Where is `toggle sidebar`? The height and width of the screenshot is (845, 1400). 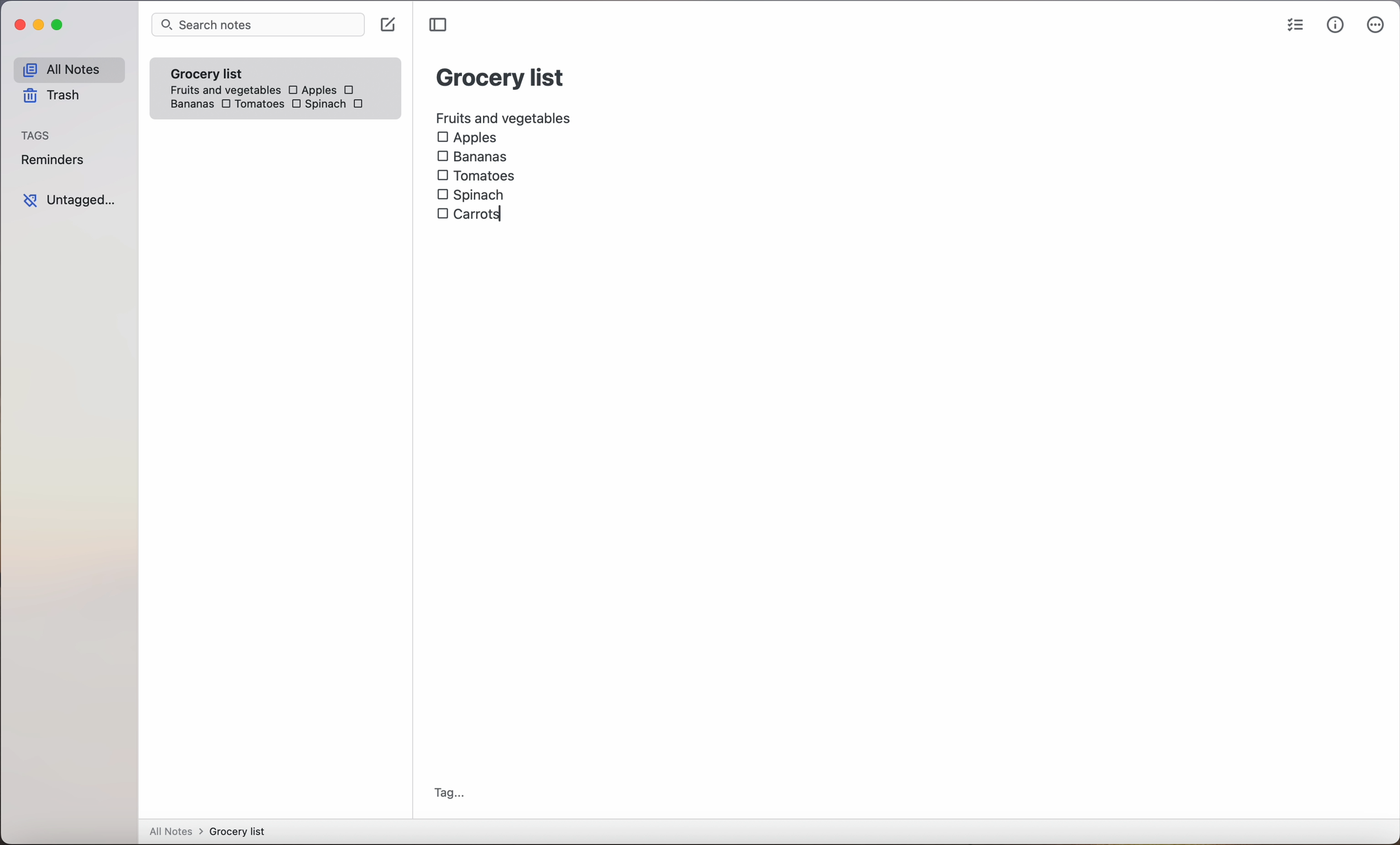 toggle sidebar is located at coordinates (440, 25).